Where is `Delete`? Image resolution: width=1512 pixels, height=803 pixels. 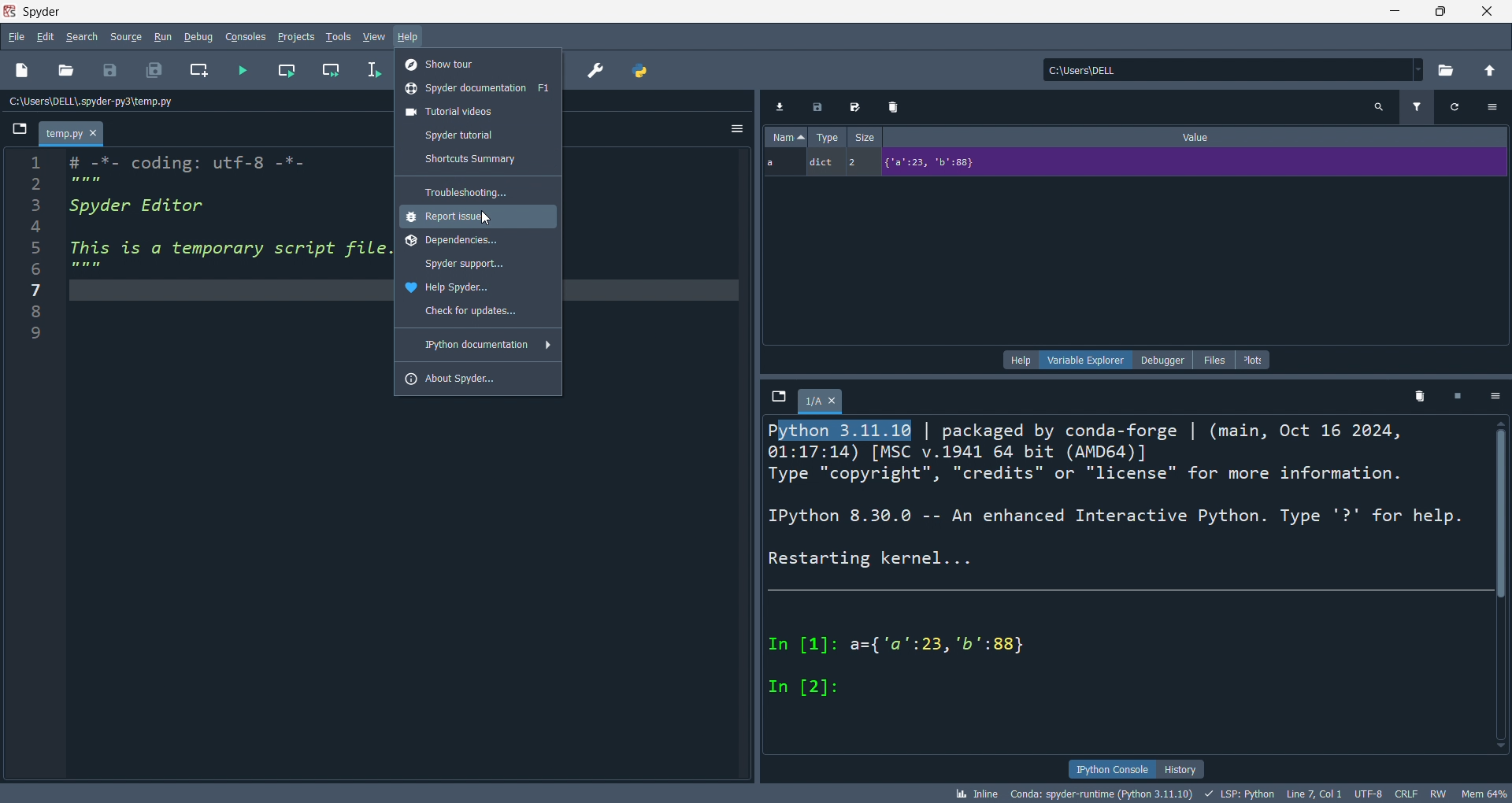 Delete is located at coordinates (1421, 395).